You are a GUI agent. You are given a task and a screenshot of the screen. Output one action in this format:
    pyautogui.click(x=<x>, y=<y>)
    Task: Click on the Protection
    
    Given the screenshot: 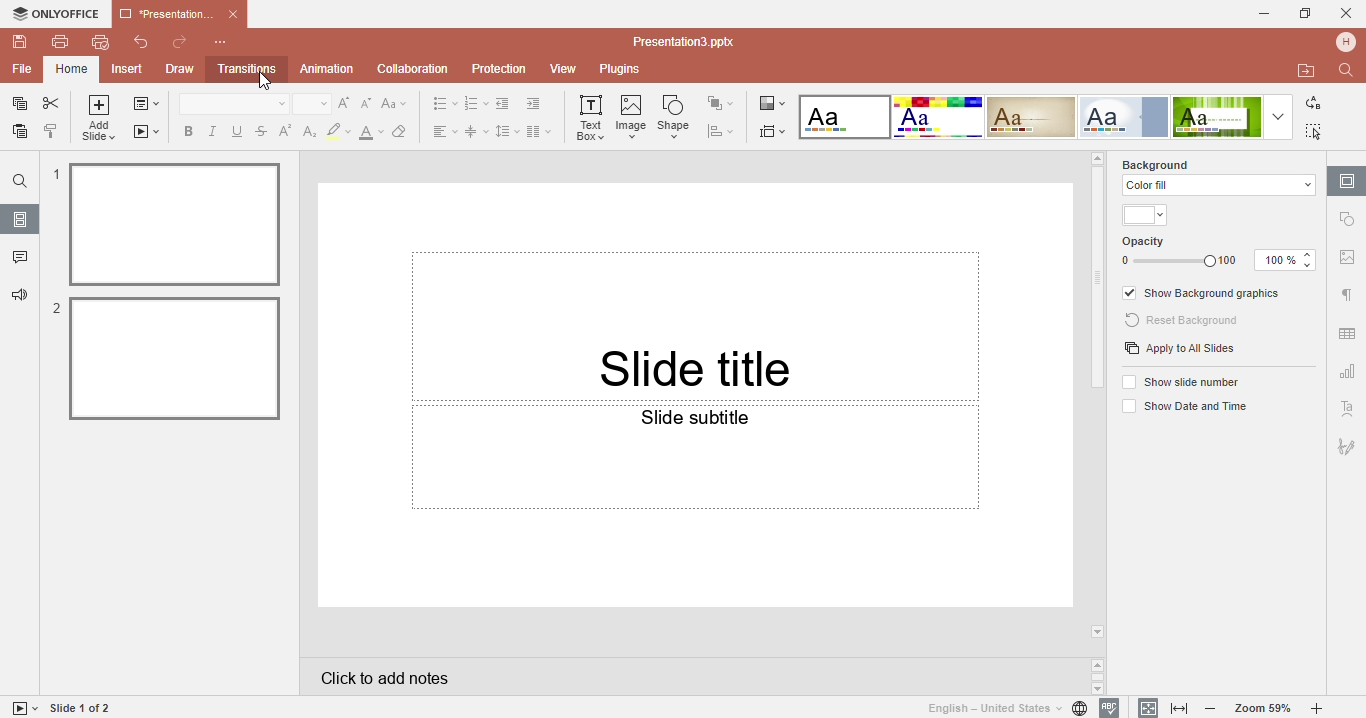 What is the action you would take?
    pyautogui.click(x=502, y=68)
    